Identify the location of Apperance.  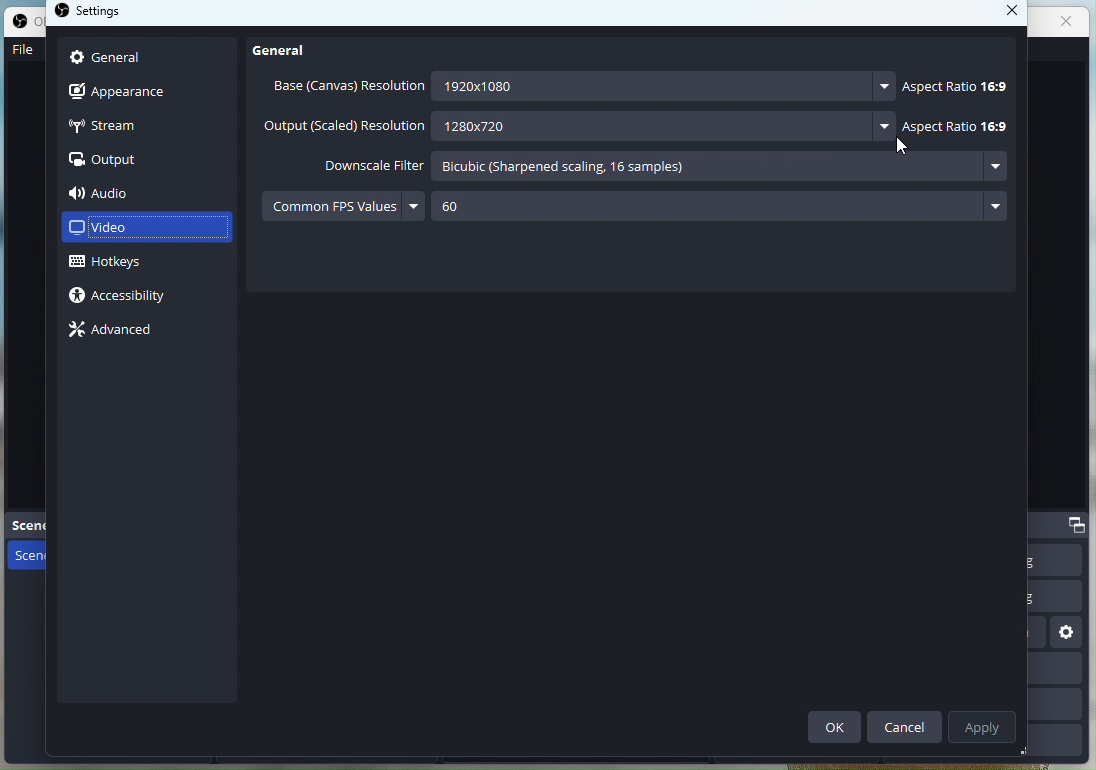
(148, 92).